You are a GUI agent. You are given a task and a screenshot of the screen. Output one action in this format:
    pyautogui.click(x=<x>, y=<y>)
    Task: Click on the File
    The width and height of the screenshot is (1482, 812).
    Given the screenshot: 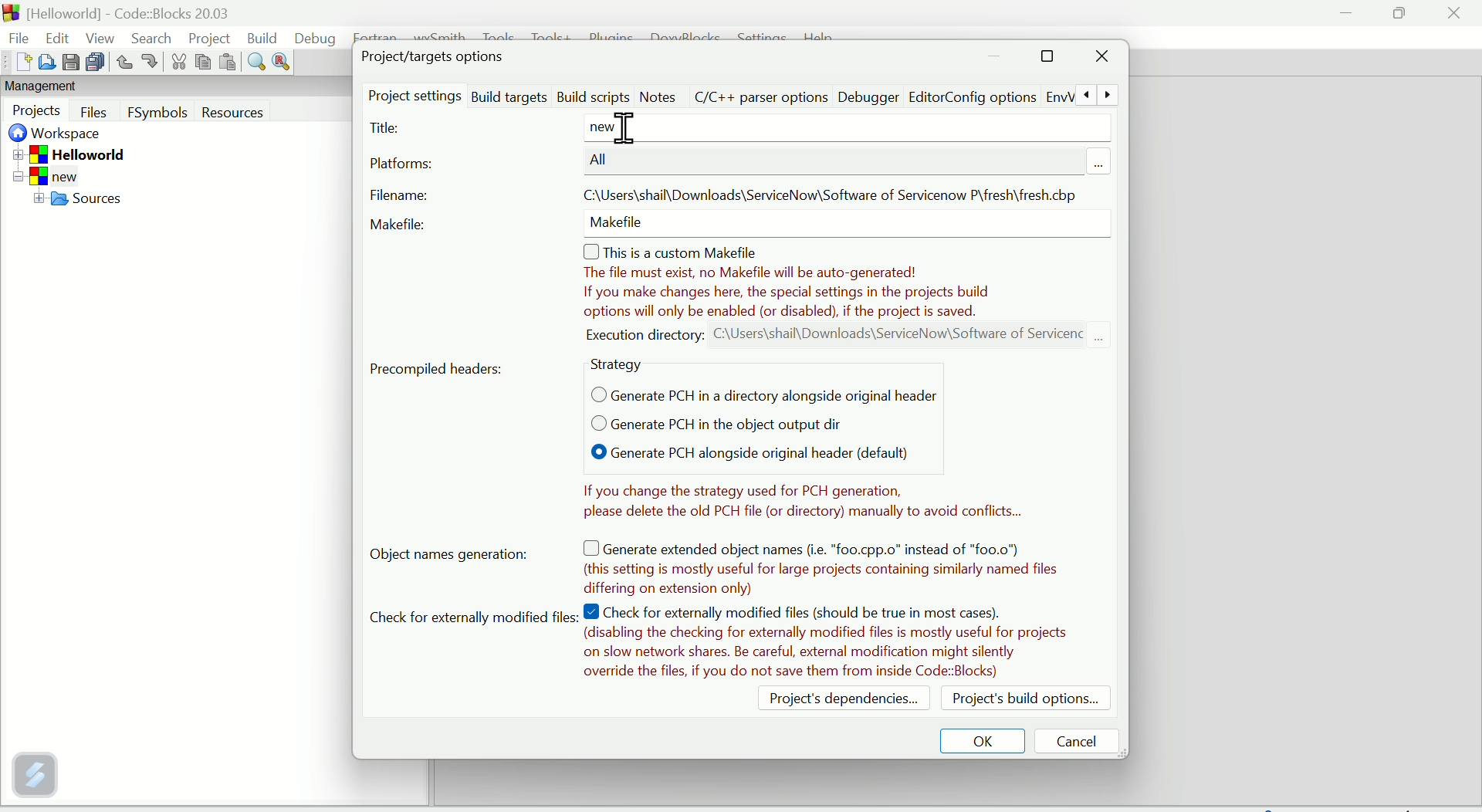 What is the action you would take?
    pyautogui.click(x=16, y=36)
    